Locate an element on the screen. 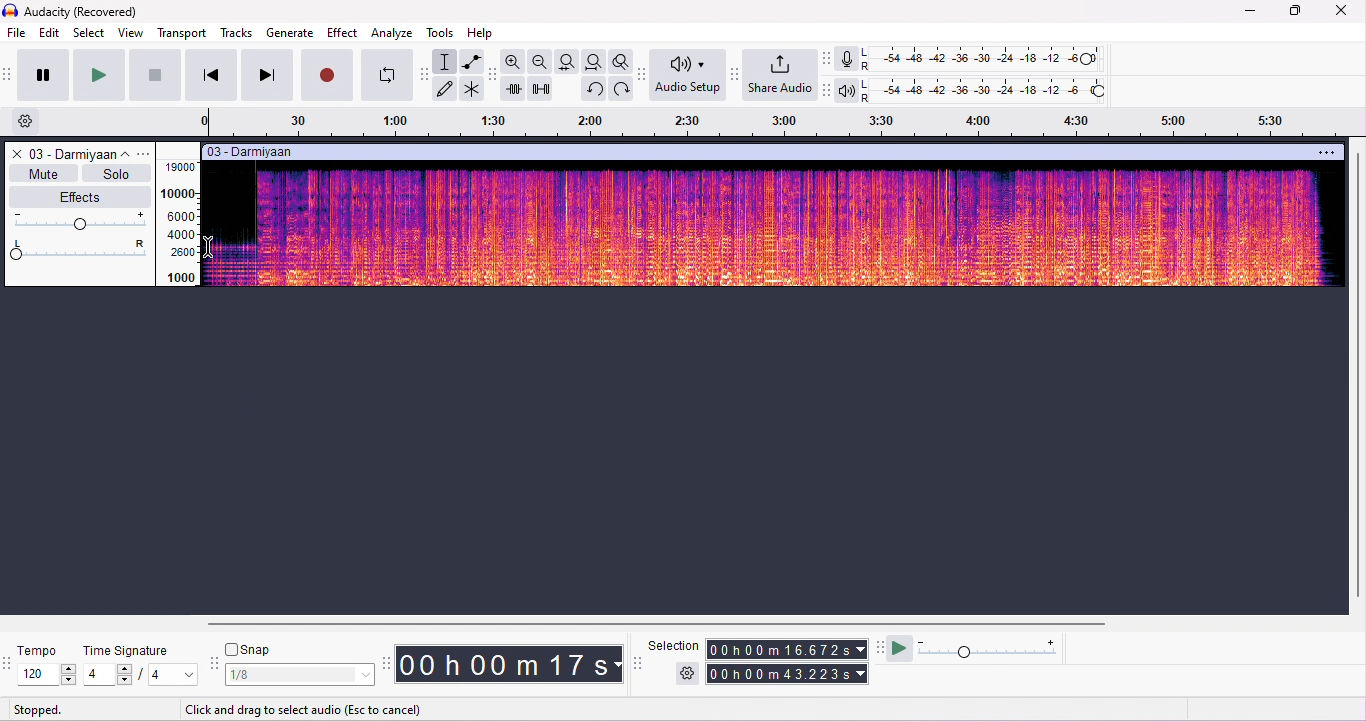 Image resolution: width=1366 pixels, height=722 pixels. select tempo is located at coordinates (47, 674).